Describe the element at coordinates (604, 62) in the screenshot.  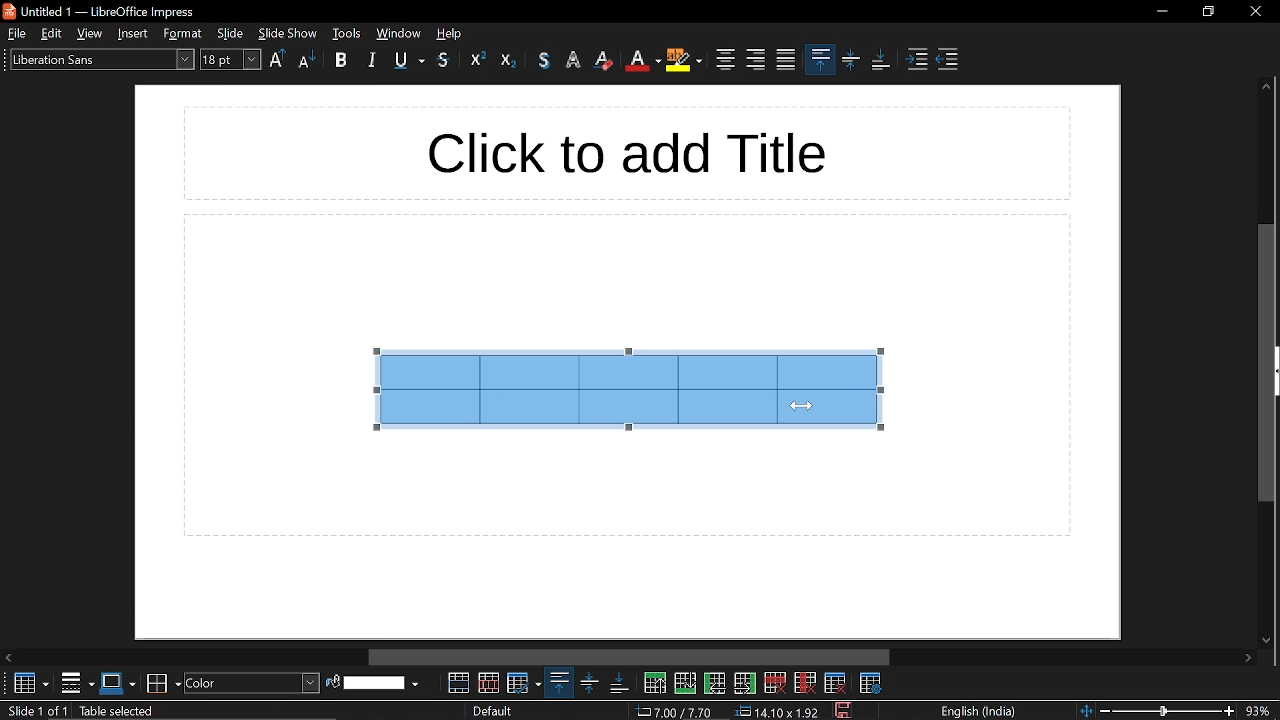
I see `eraser` at that location.